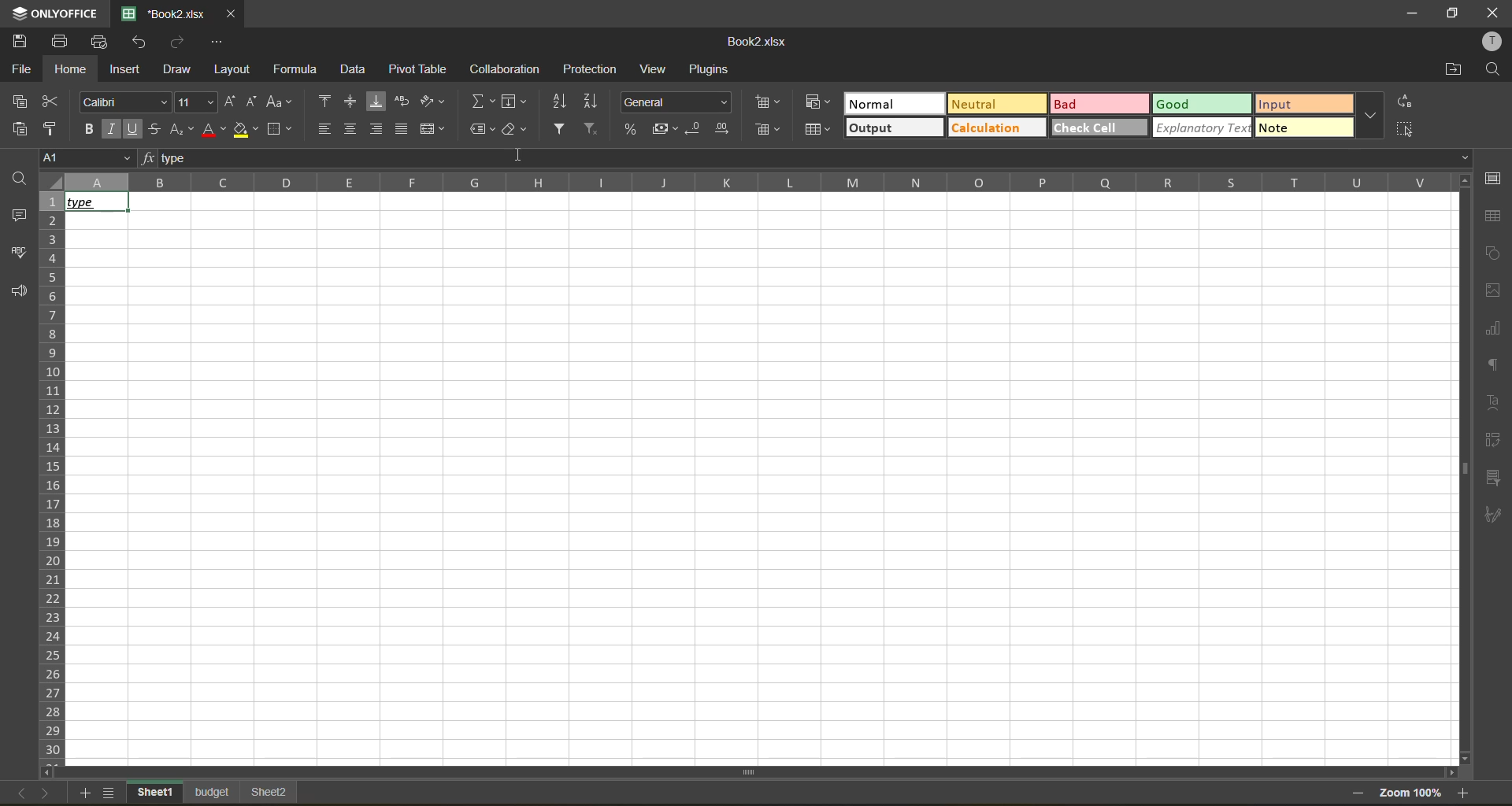 The image size is (1512, 806). I want to click on Book2.xlsx, so click(759, 40).